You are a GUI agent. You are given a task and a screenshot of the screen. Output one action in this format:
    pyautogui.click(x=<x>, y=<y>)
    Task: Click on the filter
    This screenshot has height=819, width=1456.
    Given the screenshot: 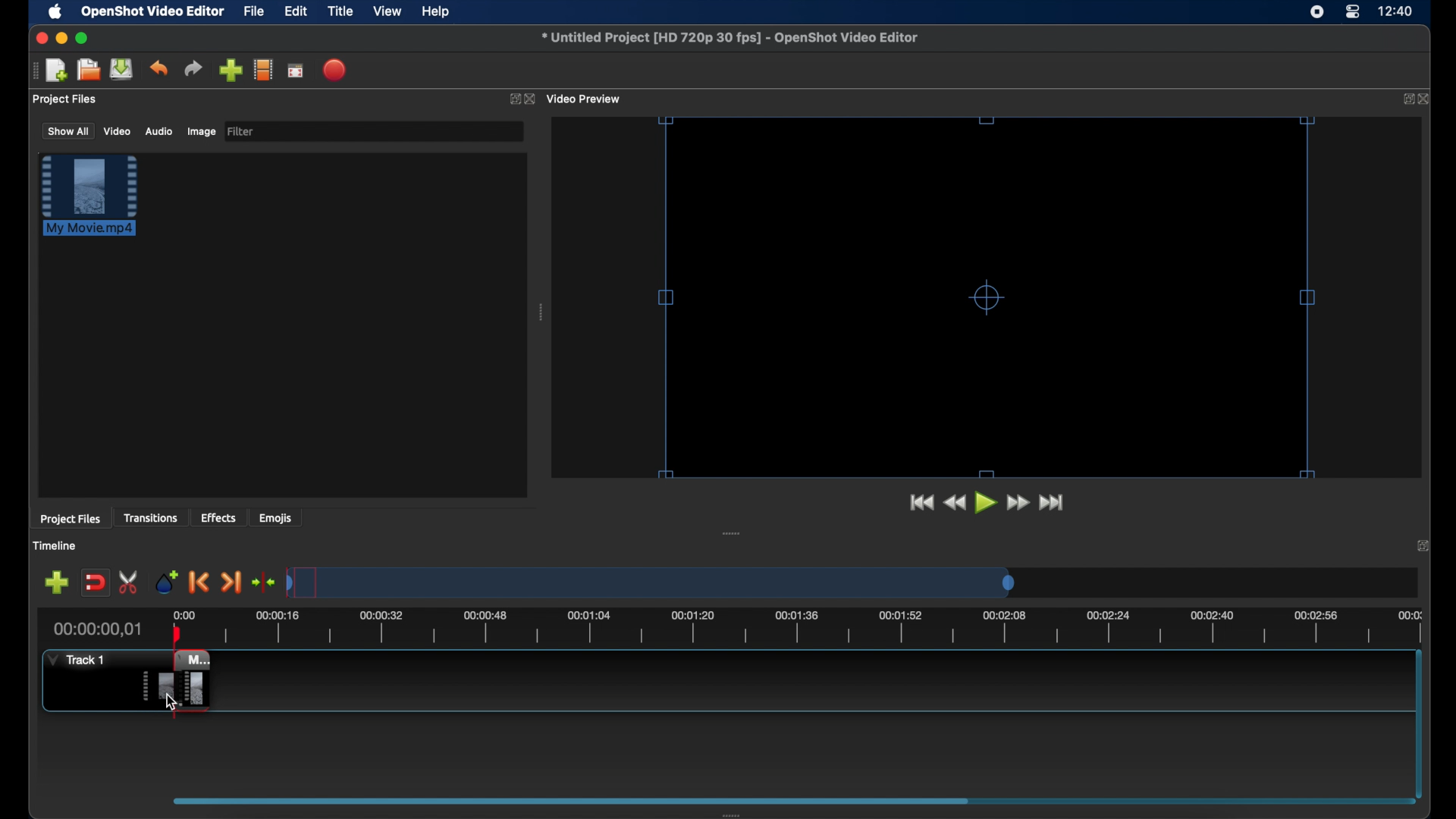 What is the action you would take?
    pyautogui.click(x=241, y=130)
    